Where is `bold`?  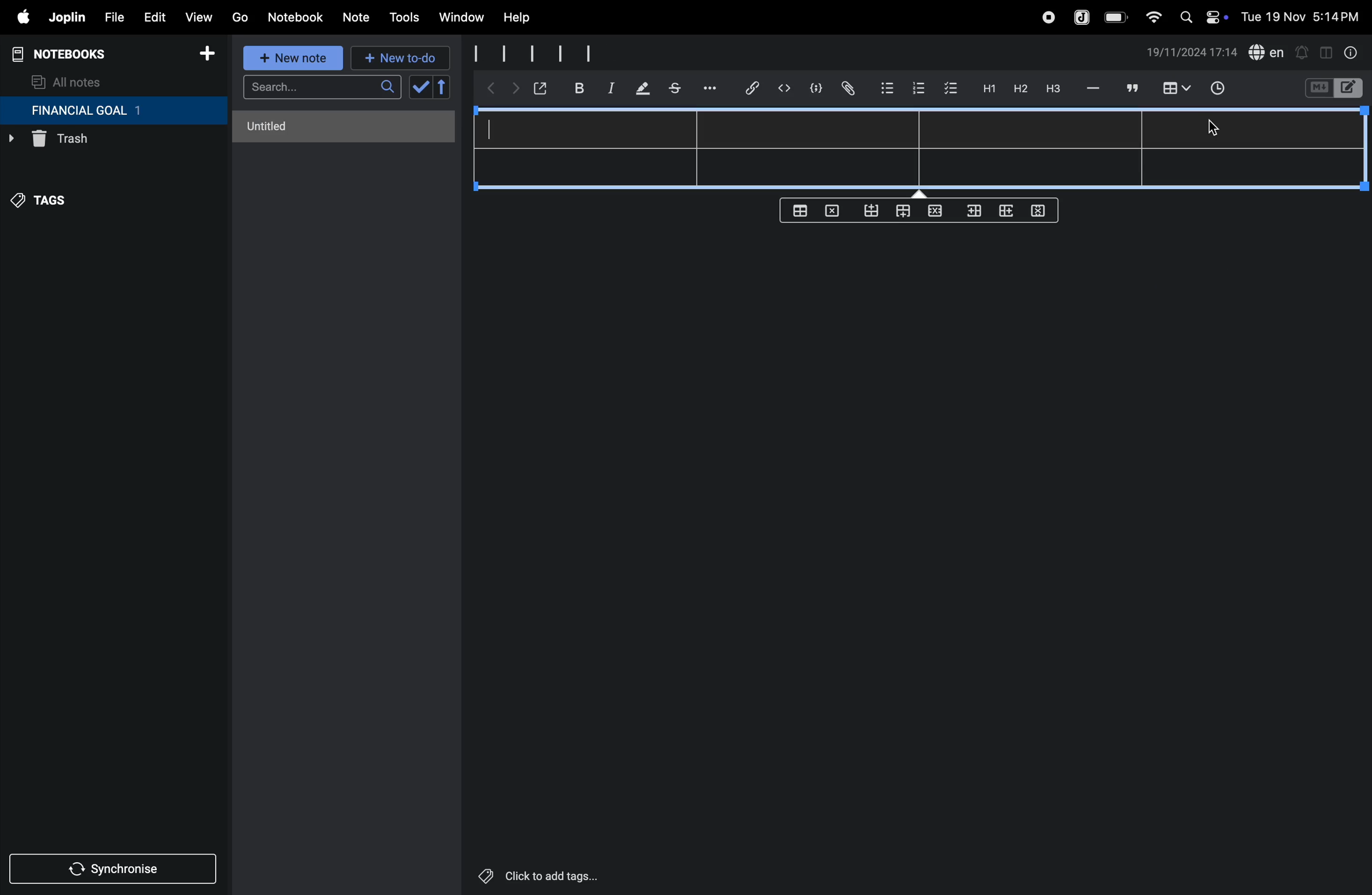
bold is located at coordinates (573, 88).